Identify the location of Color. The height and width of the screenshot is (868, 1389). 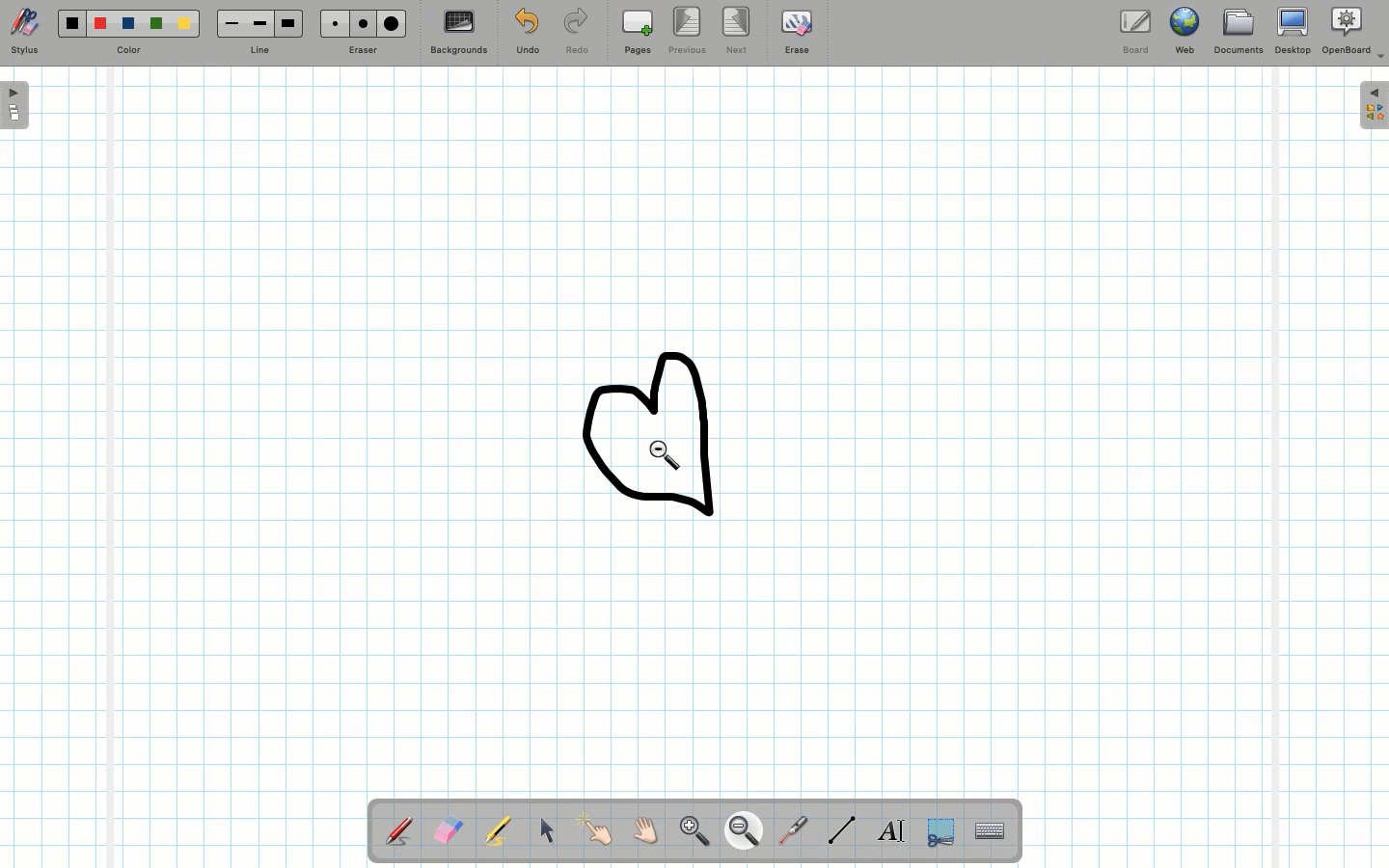
(129, 34).